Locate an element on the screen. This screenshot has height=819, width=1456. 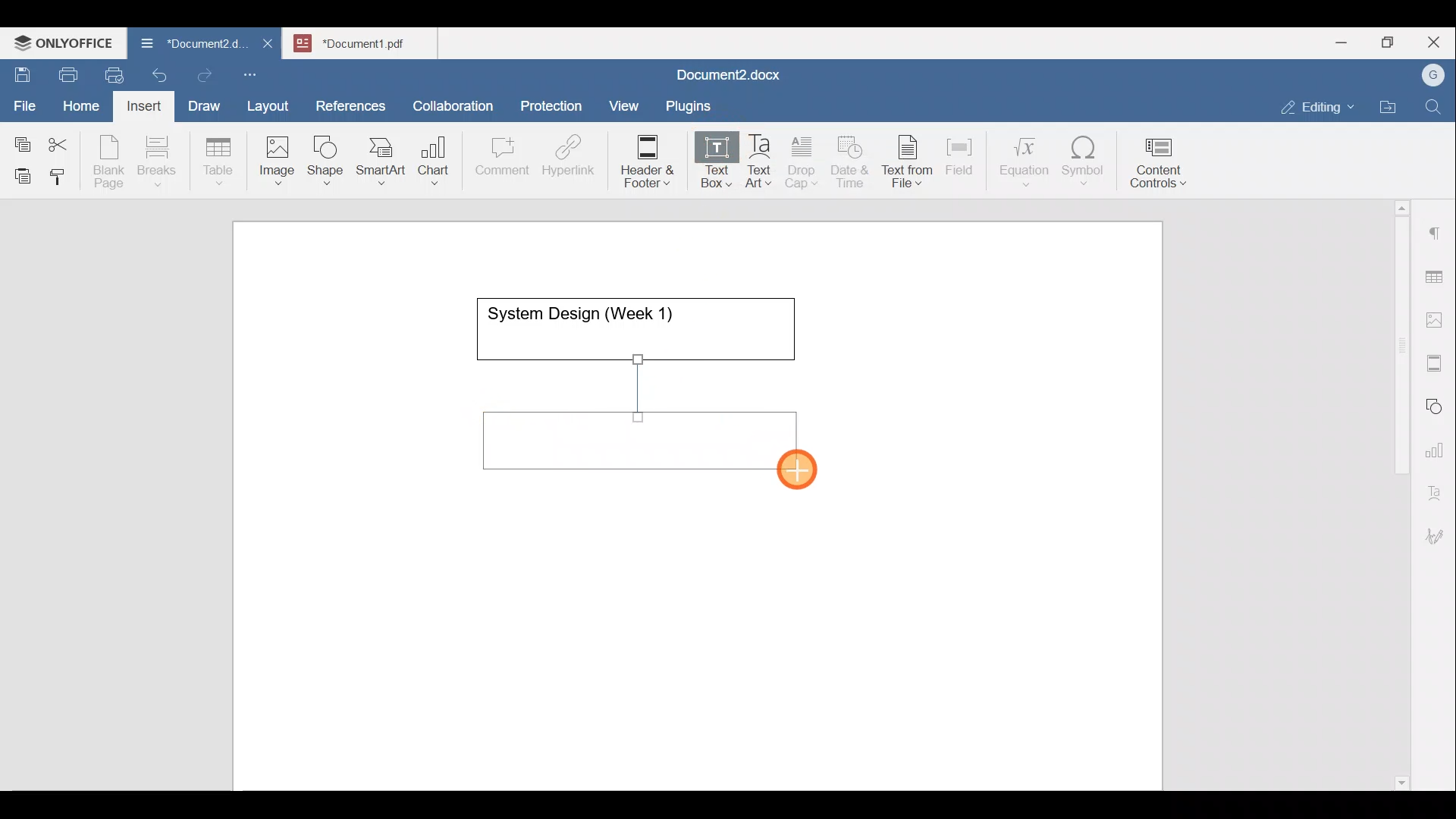
View is located at coordinates (625, 101).